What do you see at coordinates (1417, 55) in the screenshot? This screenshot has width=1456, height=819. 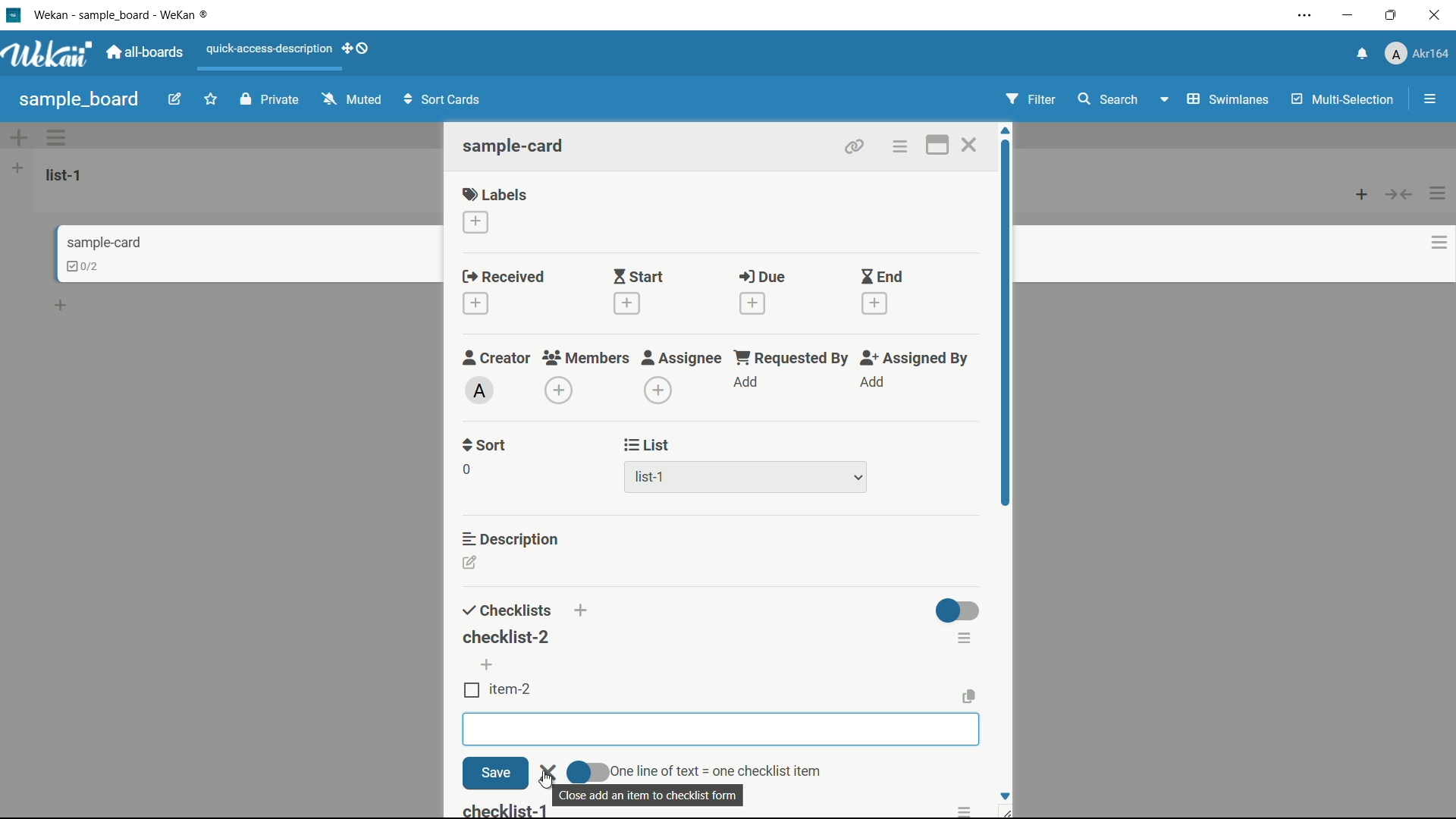 I see `profile` at bounding box center [1417, 55].